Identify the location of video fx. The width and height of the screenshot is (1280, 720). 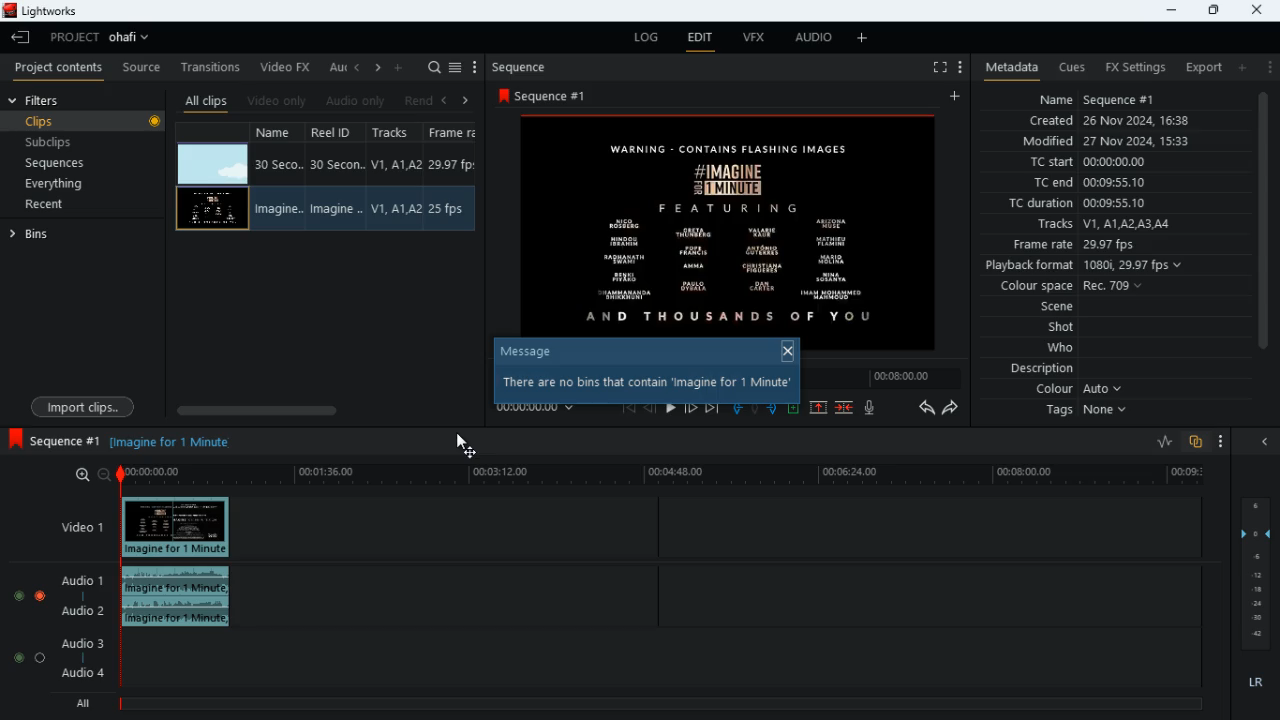
(288, 67).